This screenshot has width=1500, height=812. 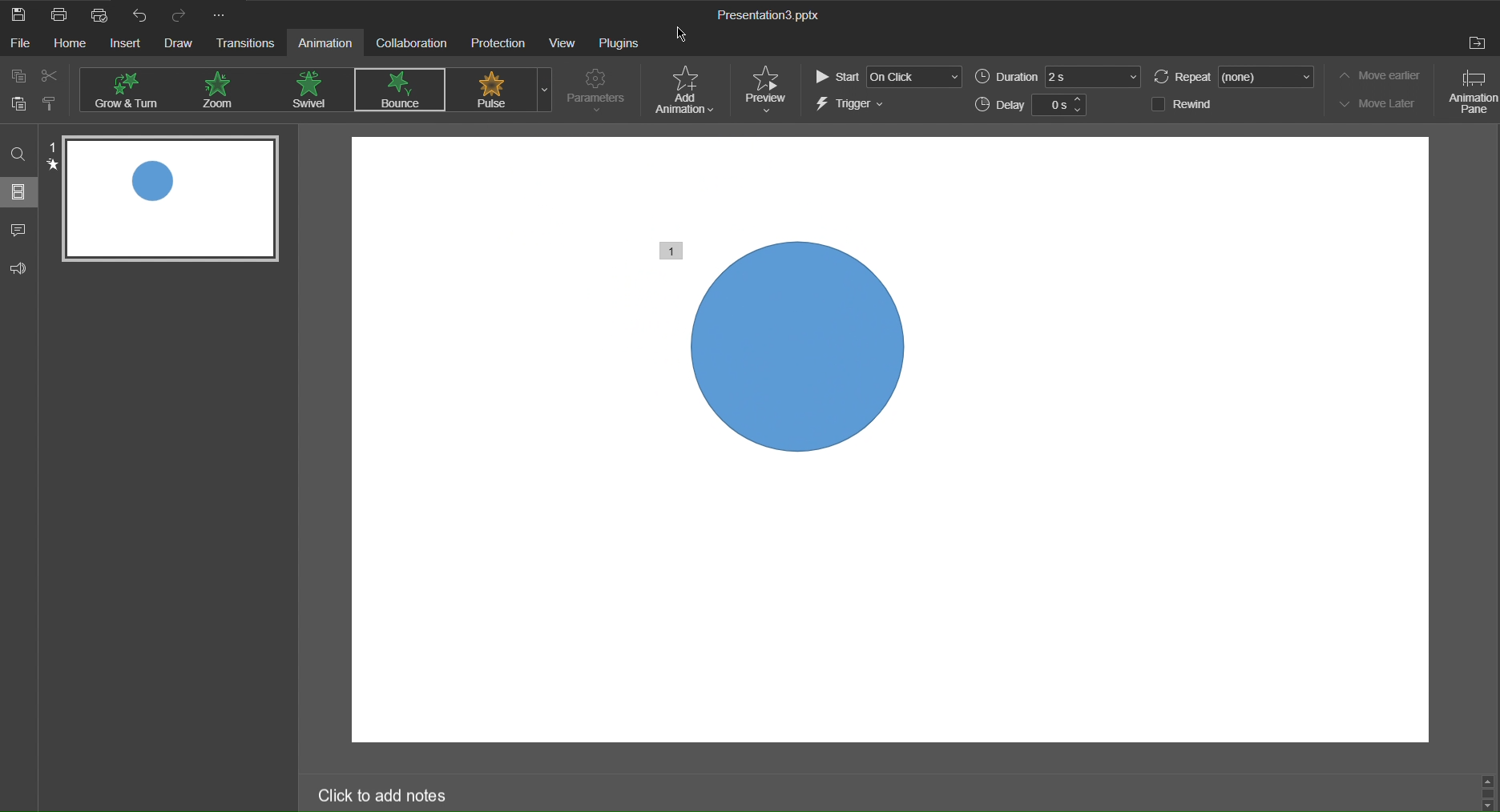 What do you see at coordinates (776, 17) in the screenshot?
I see `Presentation Title` at bounding box center [776, 17].